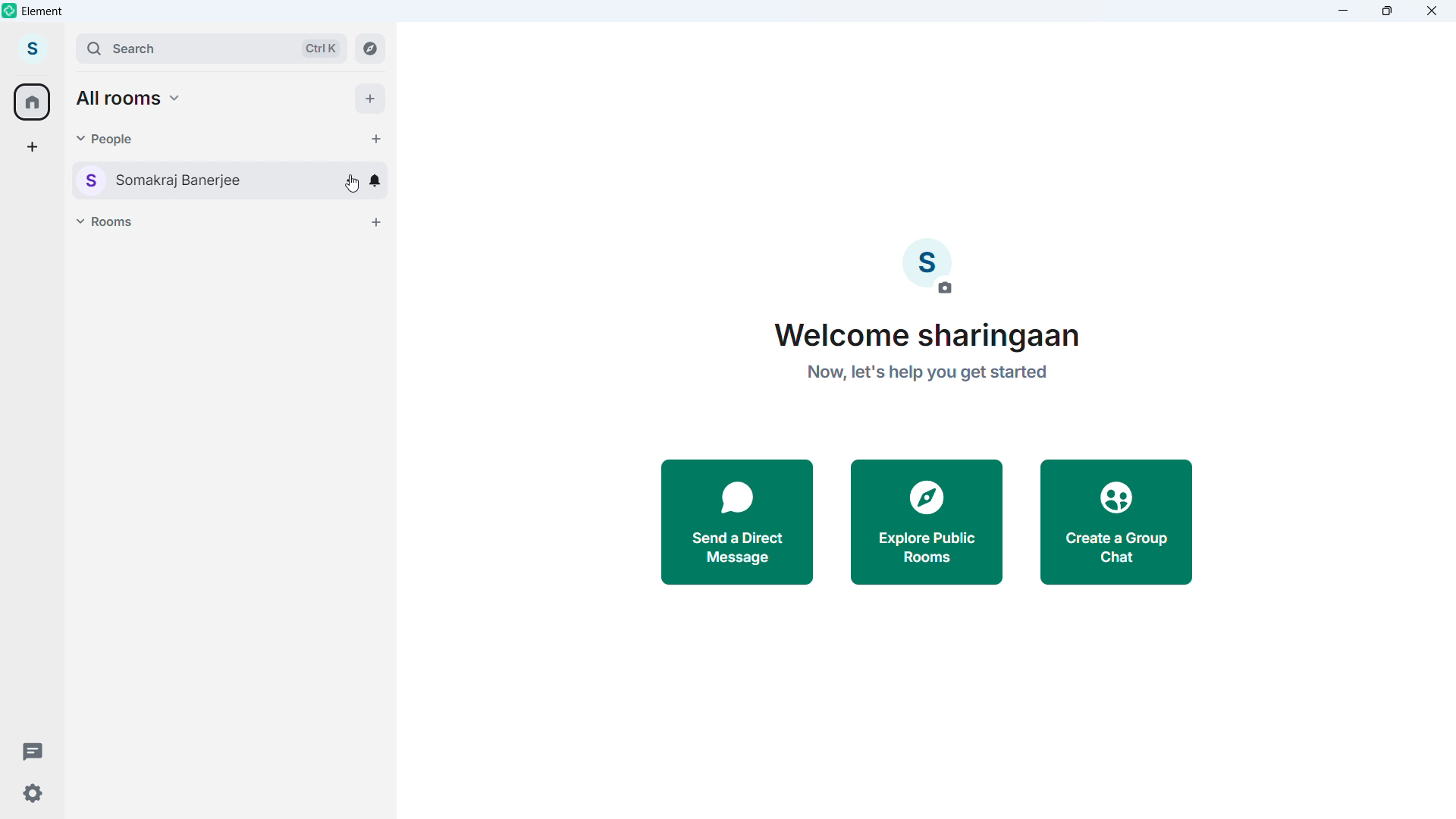 The height and width of the screenshot is (819, 1456). What do you see at coordinates (212, 49) in the screenshot?
I see `search` at bounding box center [212, 49].